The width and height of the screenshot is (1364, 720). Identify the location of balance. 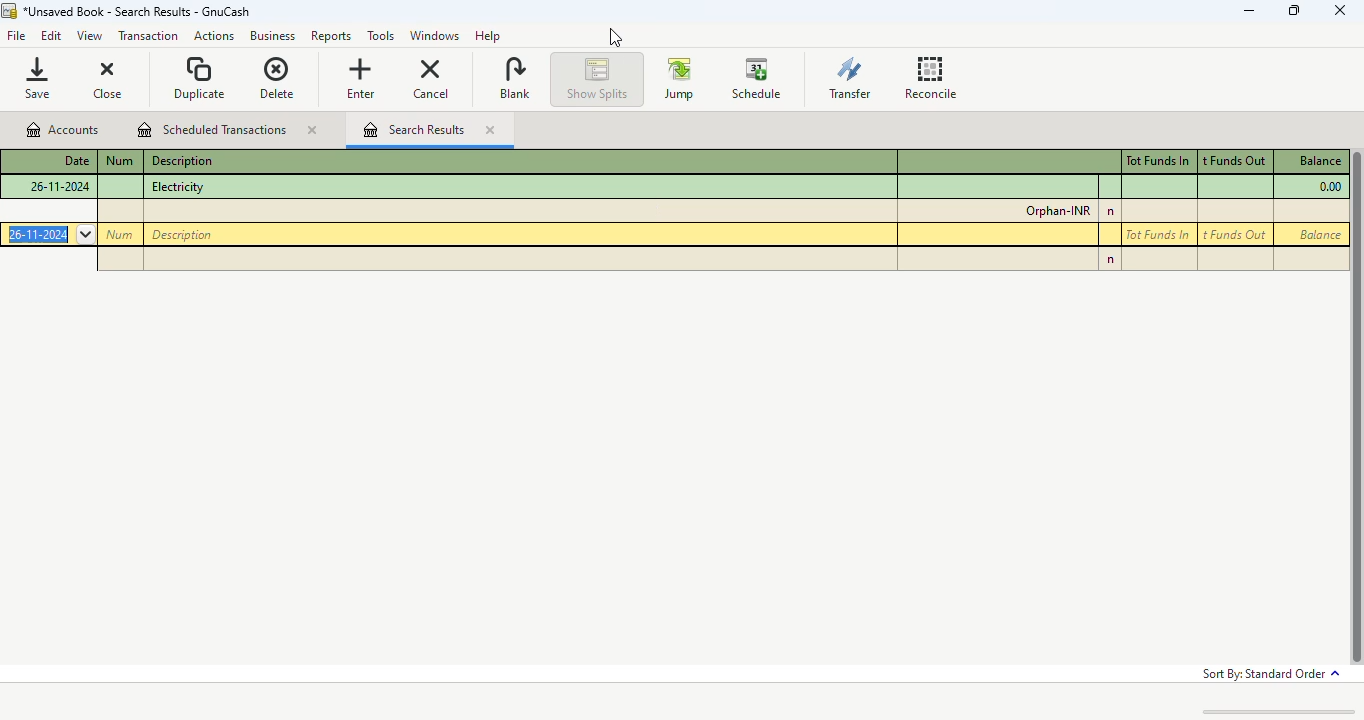
(1319, 161).